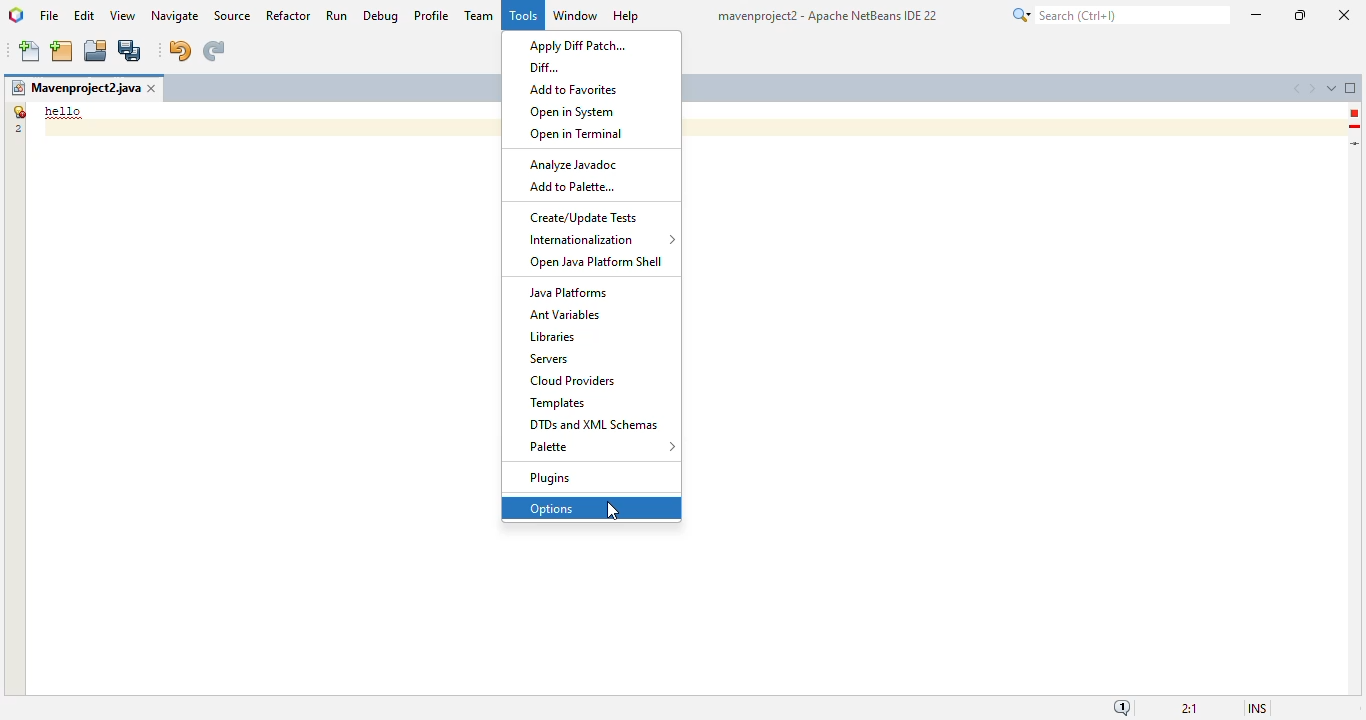  Describe the element at coordinates (1351, 87) in the screenshot. I see `maximize window` at that location.